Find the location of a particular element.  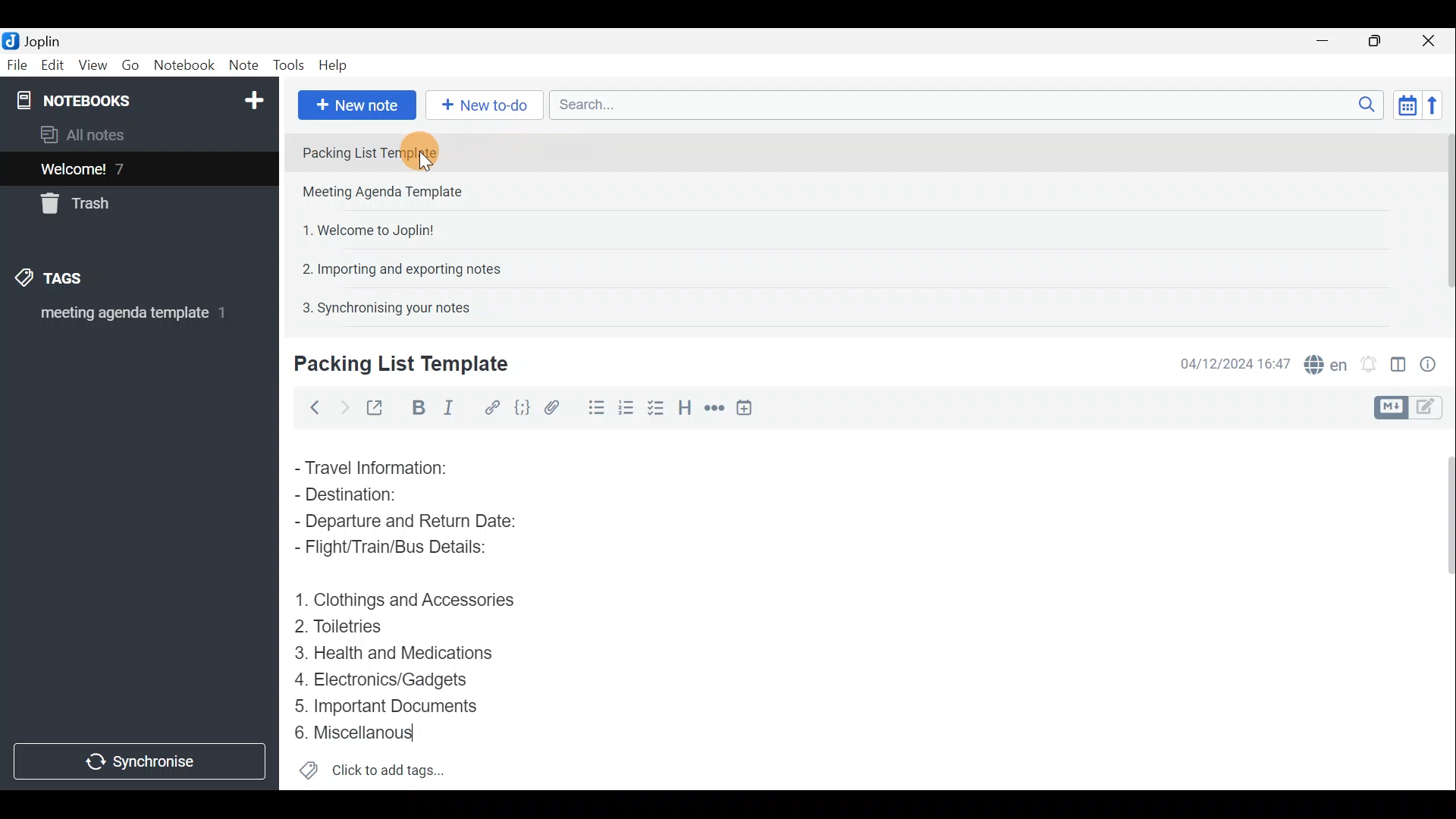

Note is located at coordinates (243, 66).